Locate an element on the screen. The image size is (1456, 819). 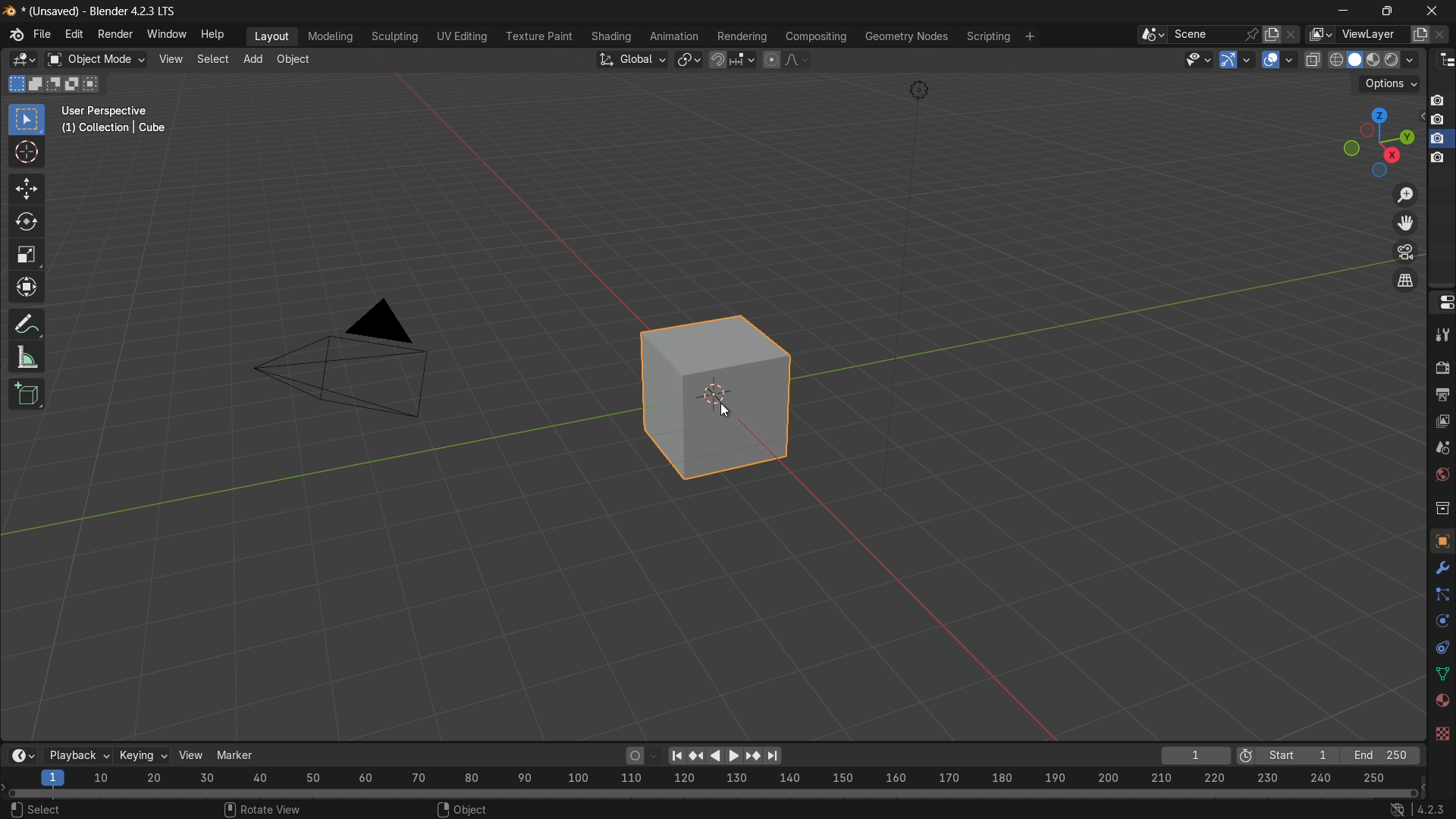
world is located at coordinates (1442, 473).